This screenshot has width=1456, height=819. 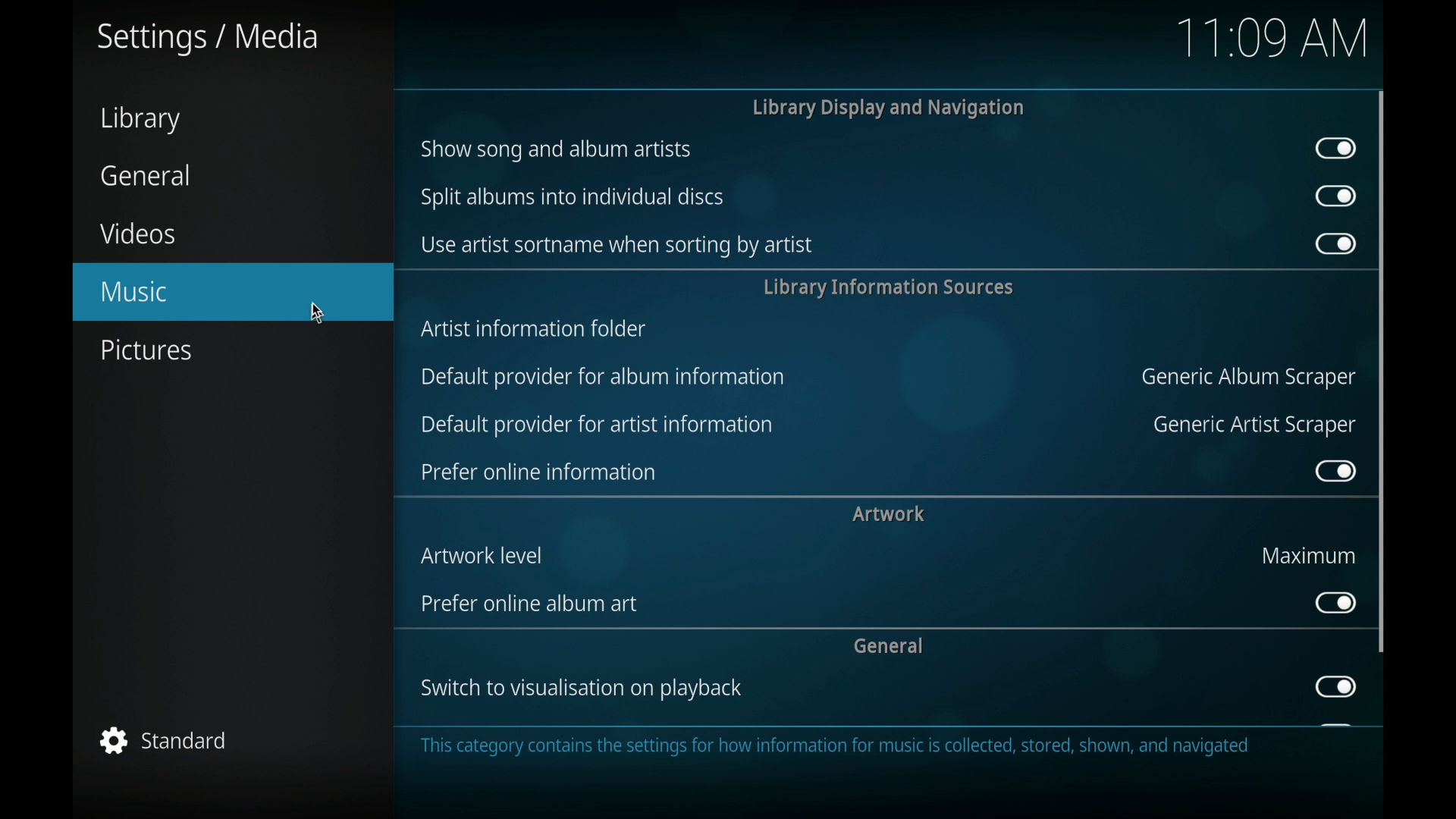 I want to click on pictures, so click(x=146, y=350).